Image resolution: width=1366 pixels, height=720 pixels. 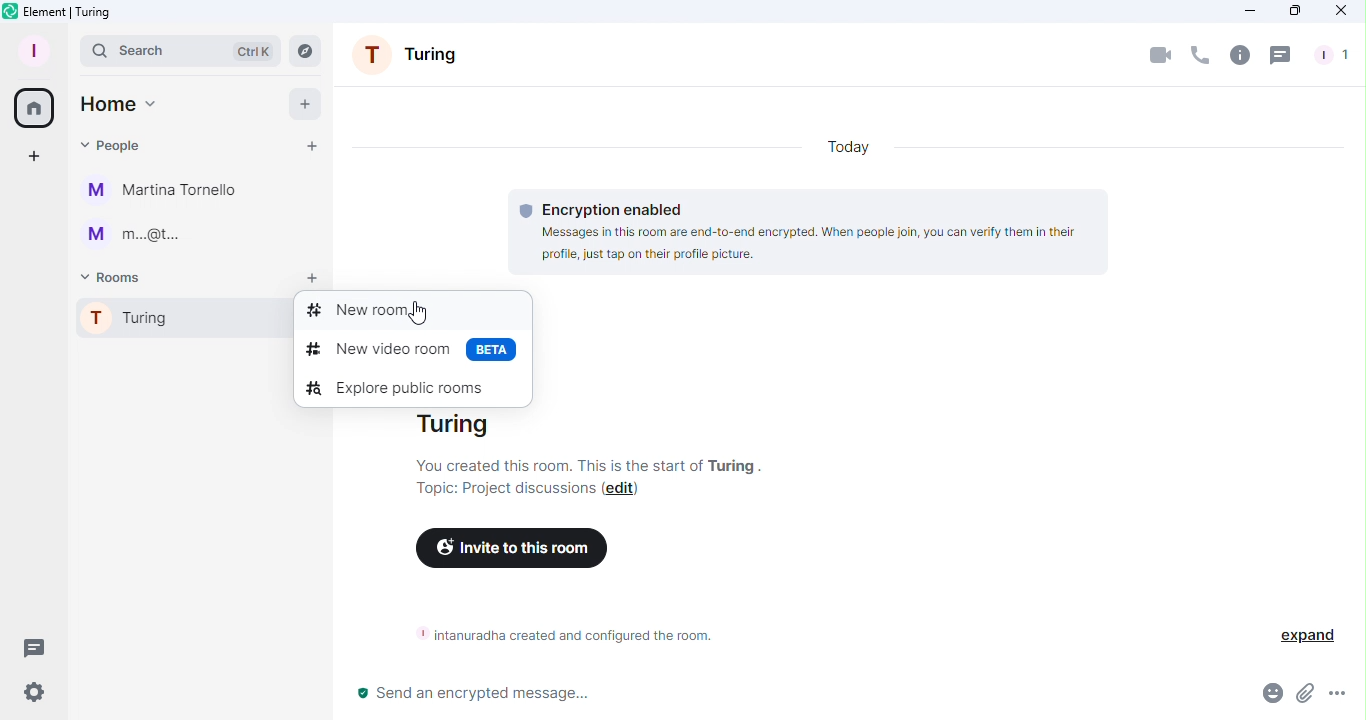 What do you see at coordinates (130, 235) in the screenshot?
I see `m...@t..` at bounding box center [130, 235].